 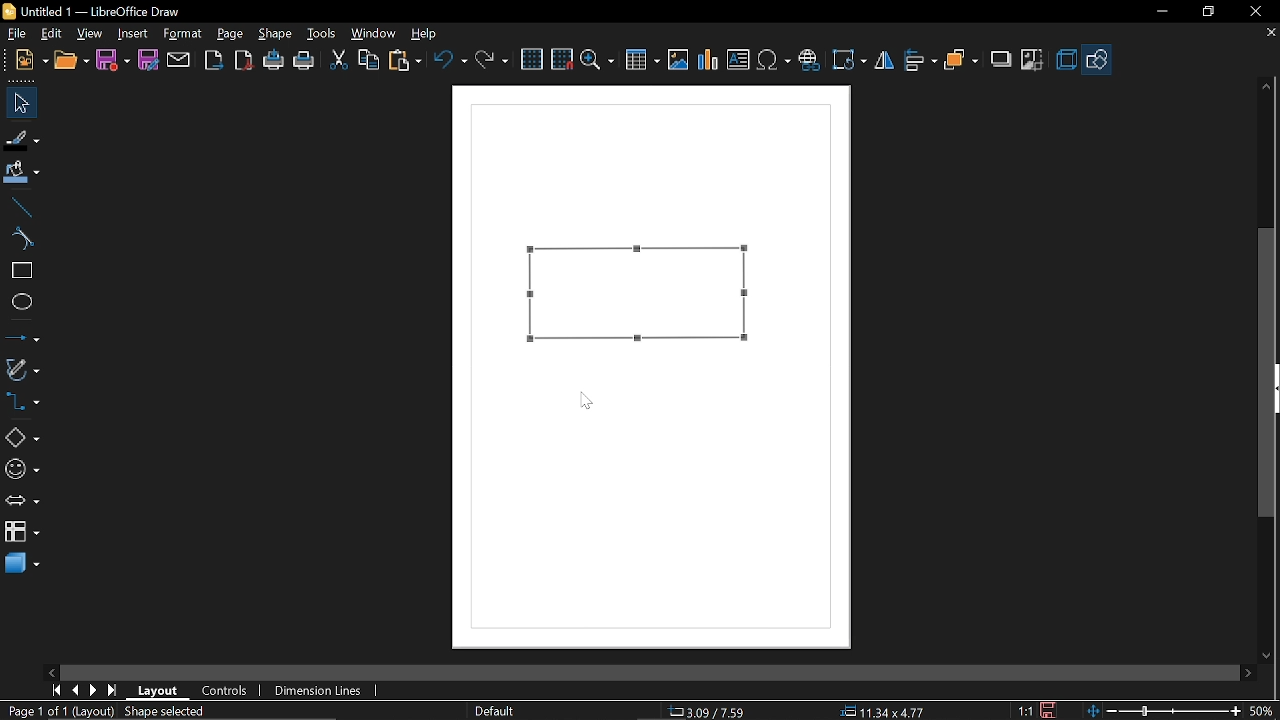 I want to click on rectangle, so click(x=20, y=271).